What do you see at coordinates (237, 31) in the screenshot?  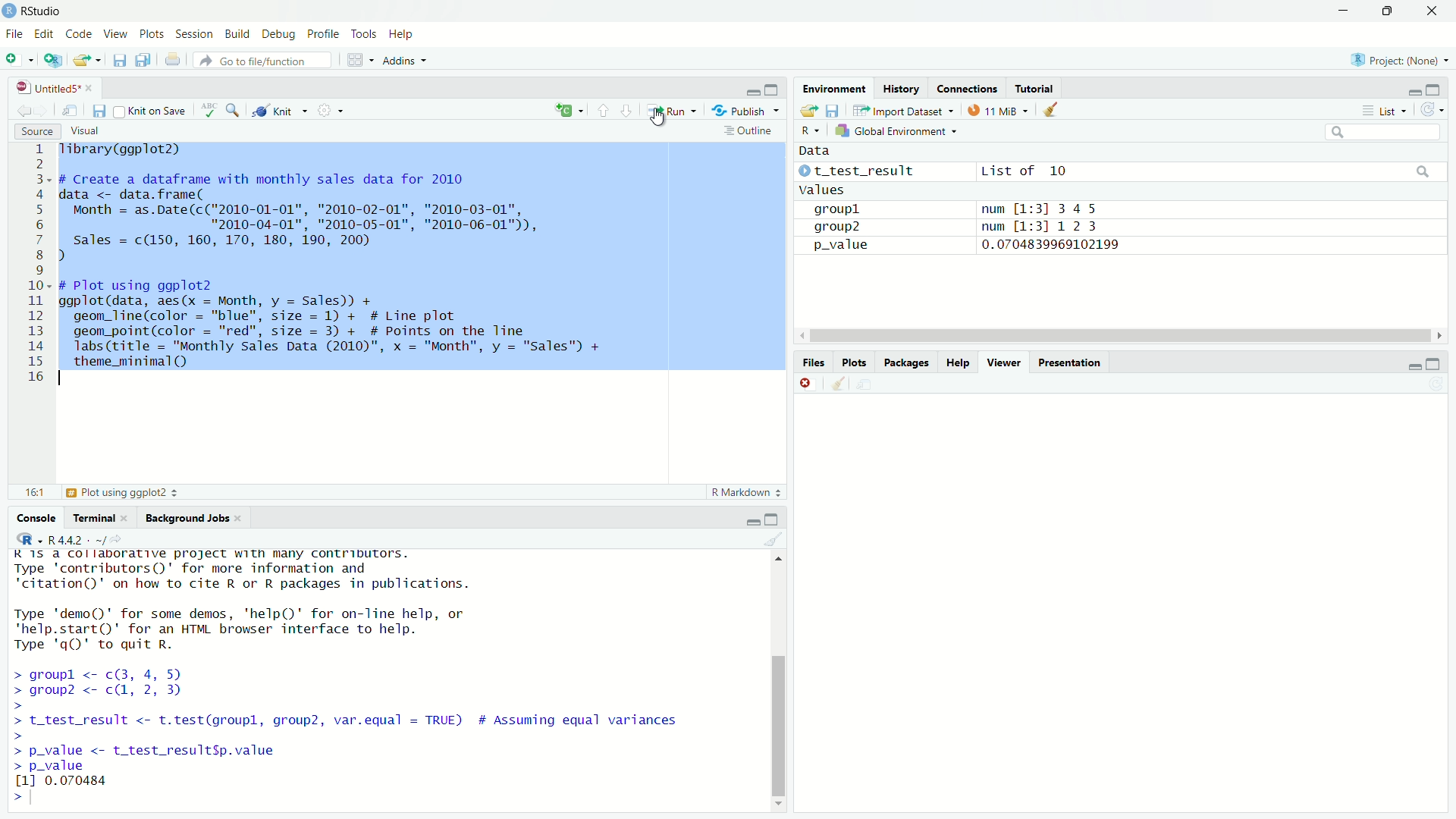 I see `Build` at bounding box center [237, 31].